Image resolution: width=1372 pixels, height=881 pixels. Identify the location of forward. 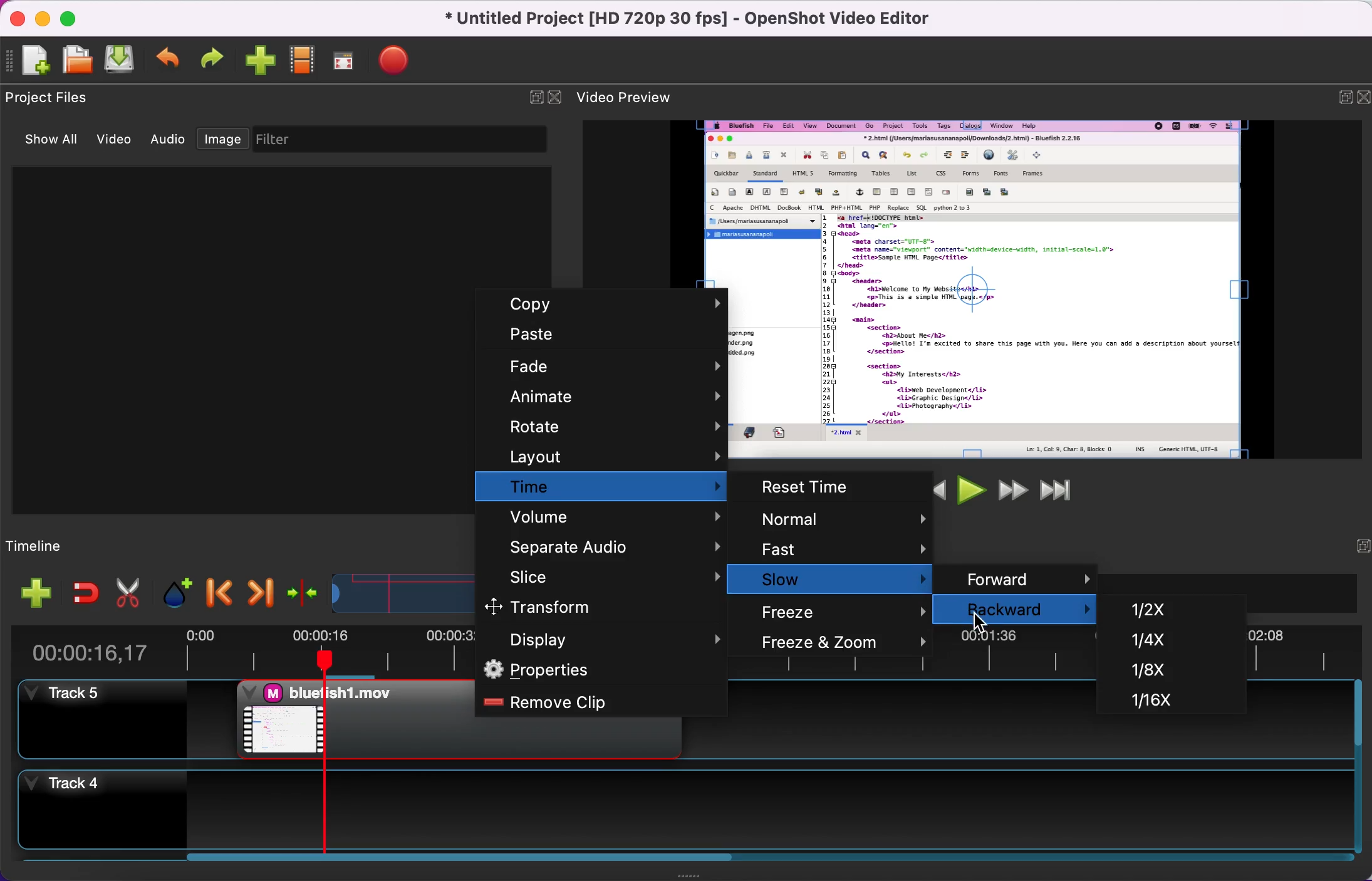
(1026, 576).